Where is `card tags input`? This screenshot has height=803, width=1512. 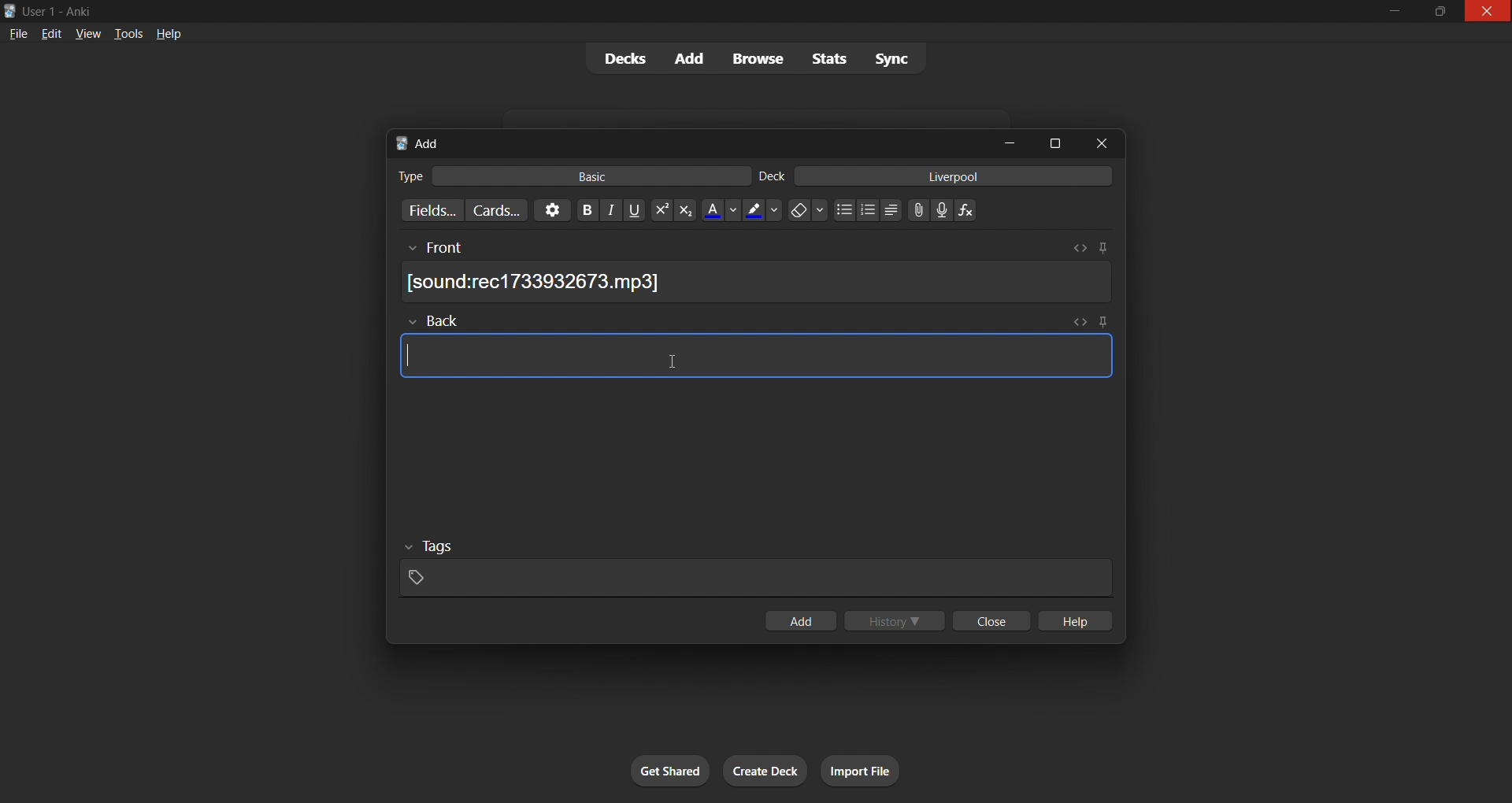 card tags input is located at coordinates (752, 568).